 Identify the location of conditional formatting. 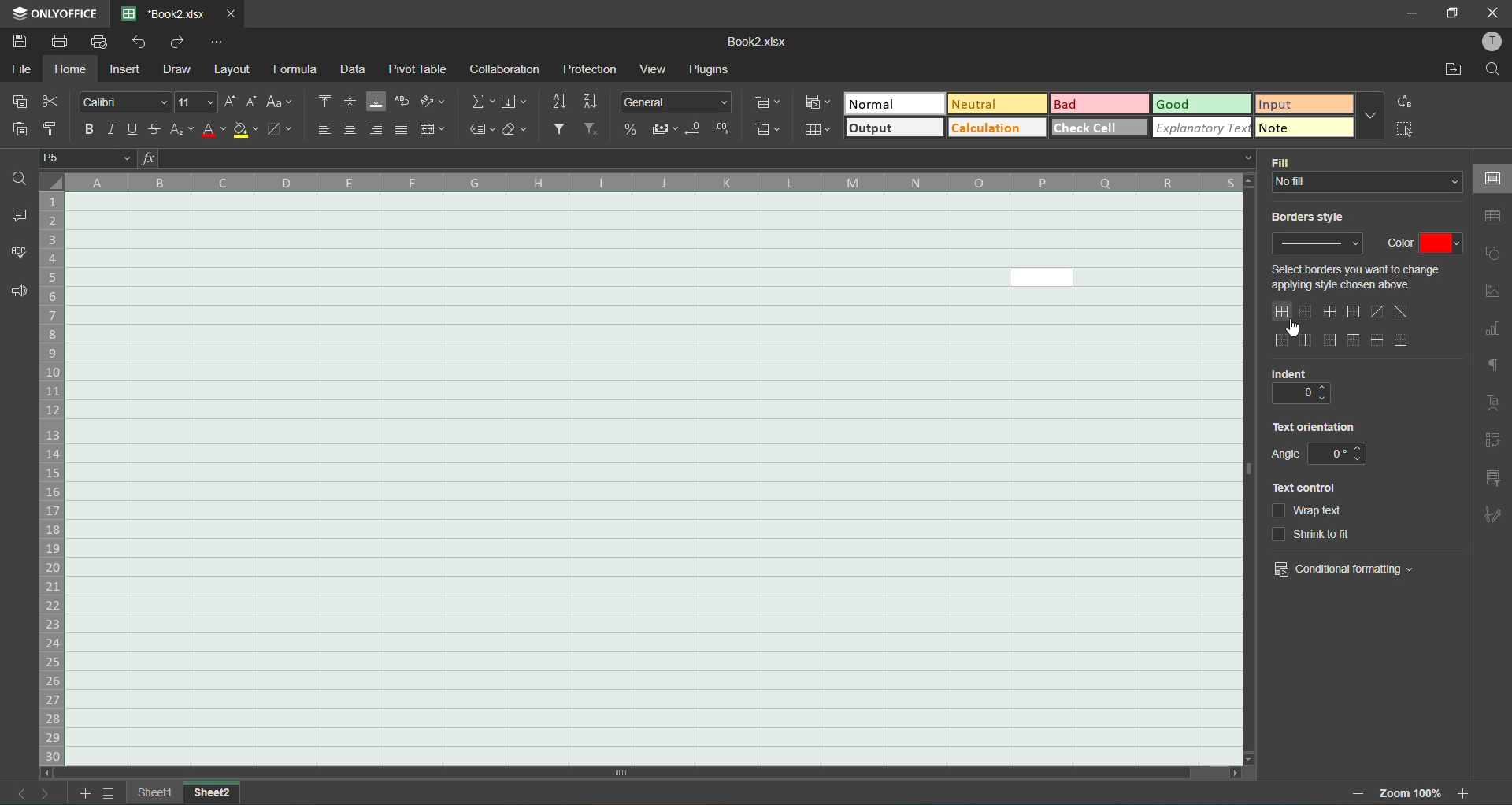
(813, 103).